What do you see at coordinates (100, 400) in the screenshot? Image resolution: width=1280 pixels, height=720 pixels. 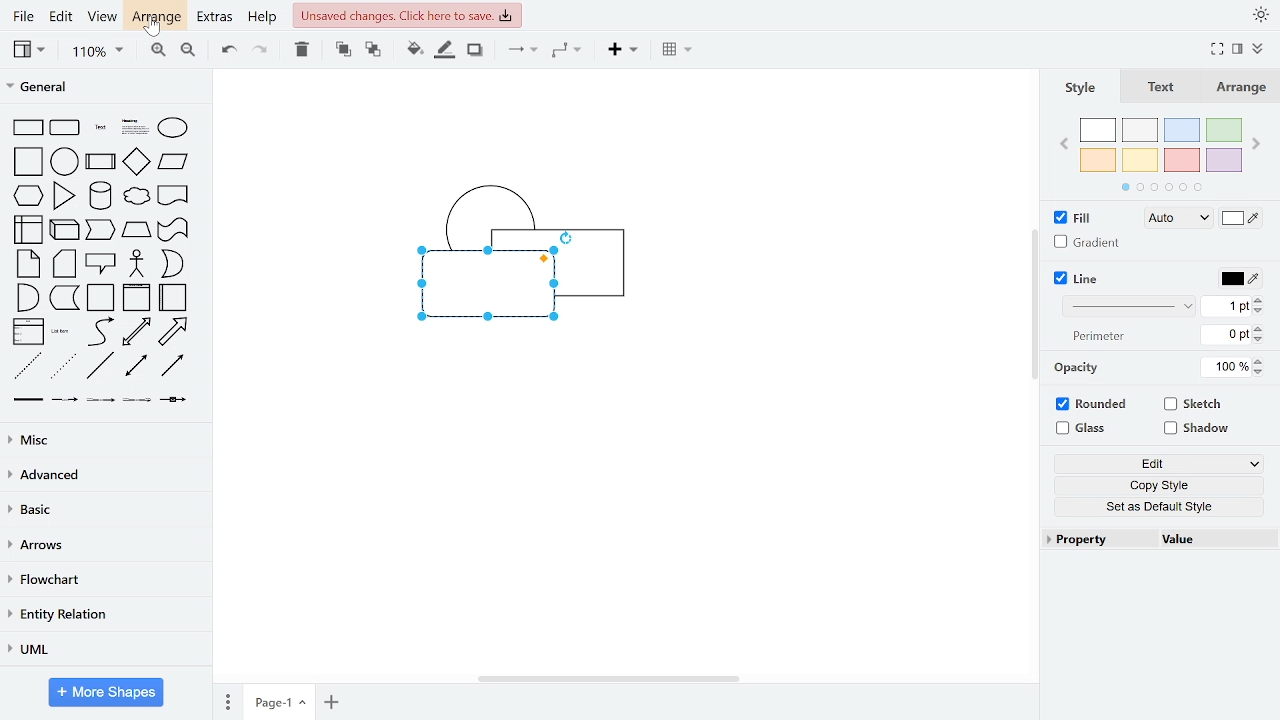 I see `connector with 2 label` at bounding box center [100, 400].